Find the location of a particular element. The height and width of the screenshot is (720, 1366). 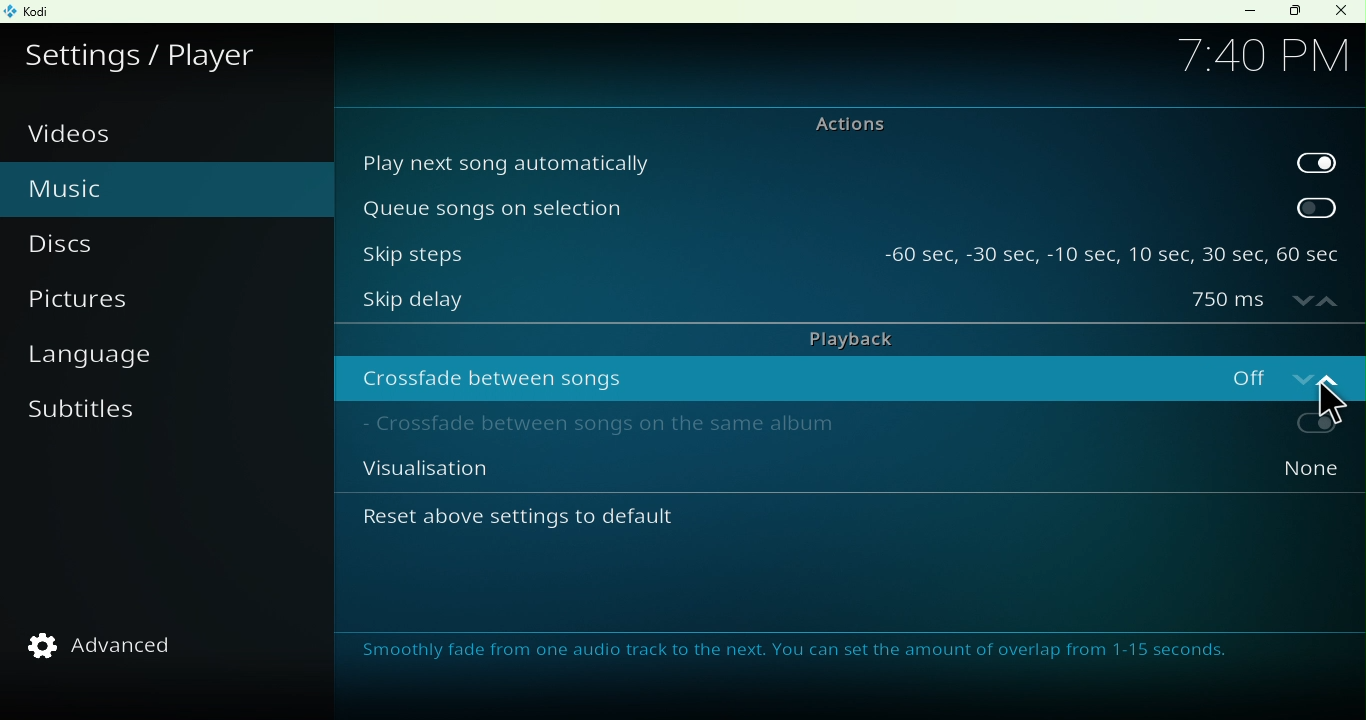

Skip delay is located at coordinates (759, 304).